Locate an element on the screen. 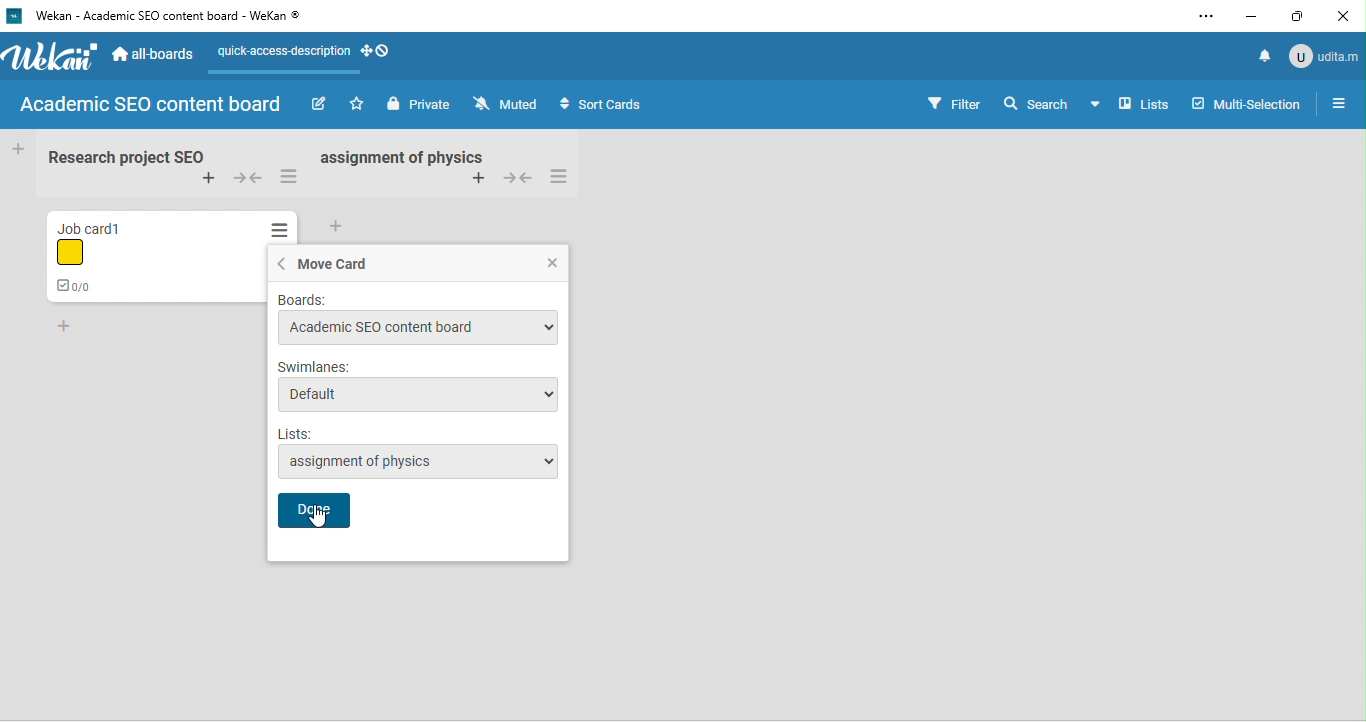  lists is located at coordinates (1130, 107).